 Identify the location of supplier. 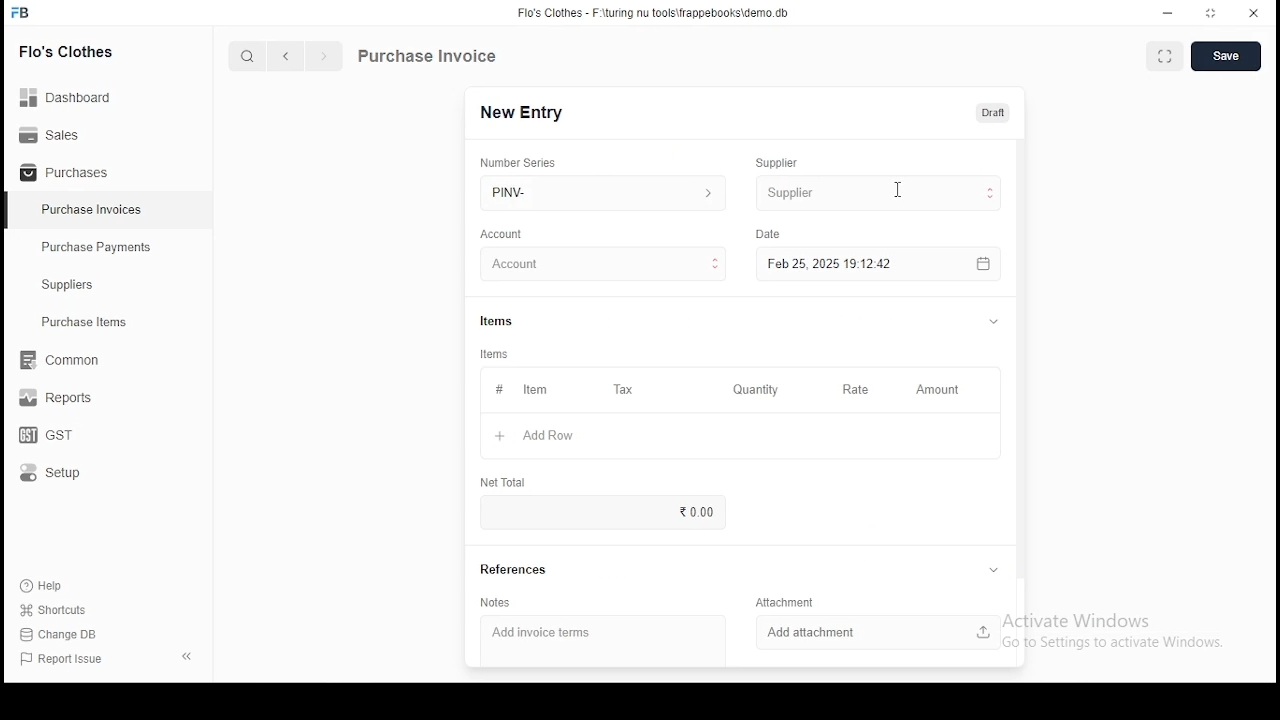
(877, 192).